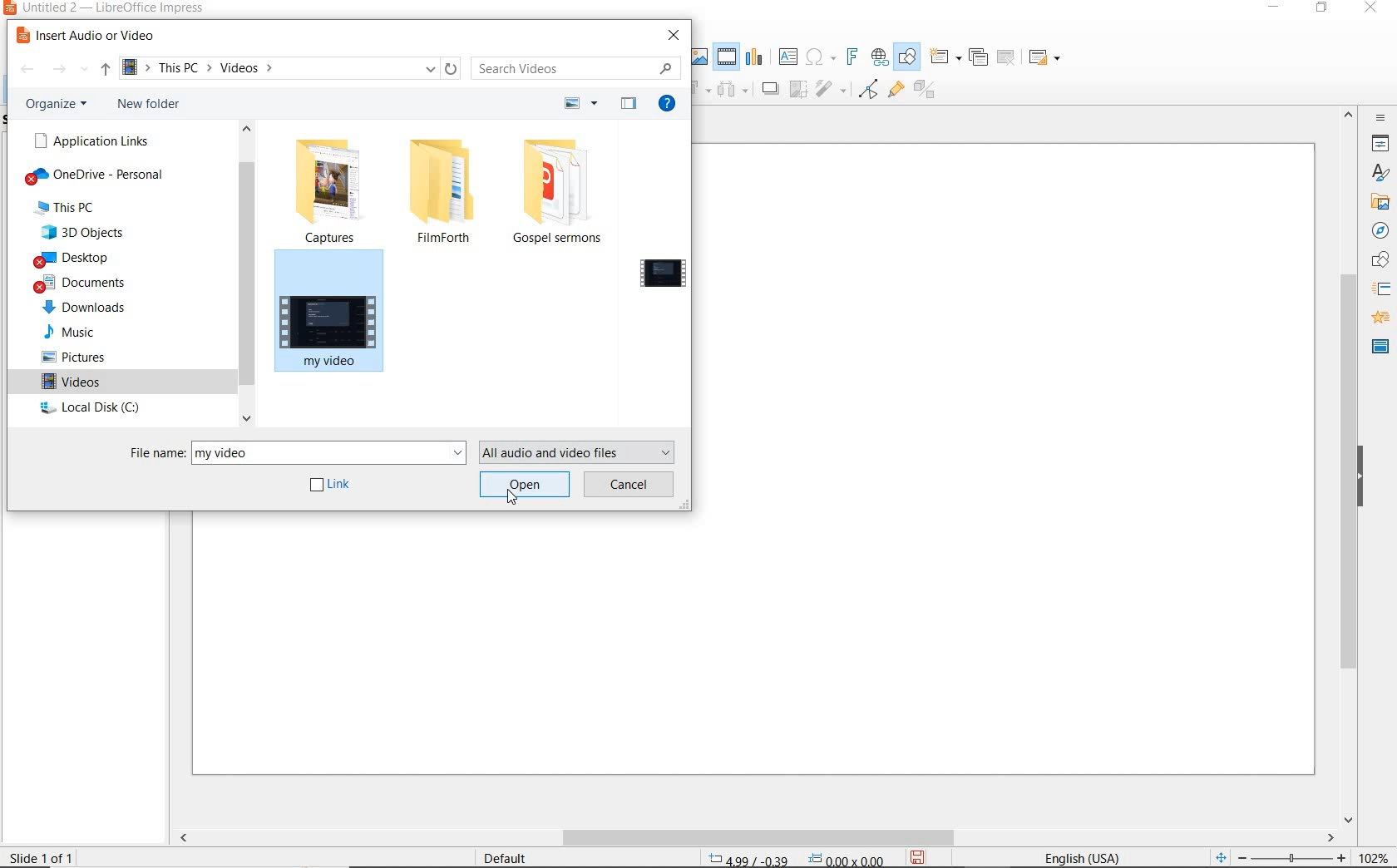 Image resolution: width=1397 pixels, height=868 pixels. Describe the element at coordinates (895, 91) in the screenshot. I see `SHOW GLUEPOINT FUNCTIONS` at that location.